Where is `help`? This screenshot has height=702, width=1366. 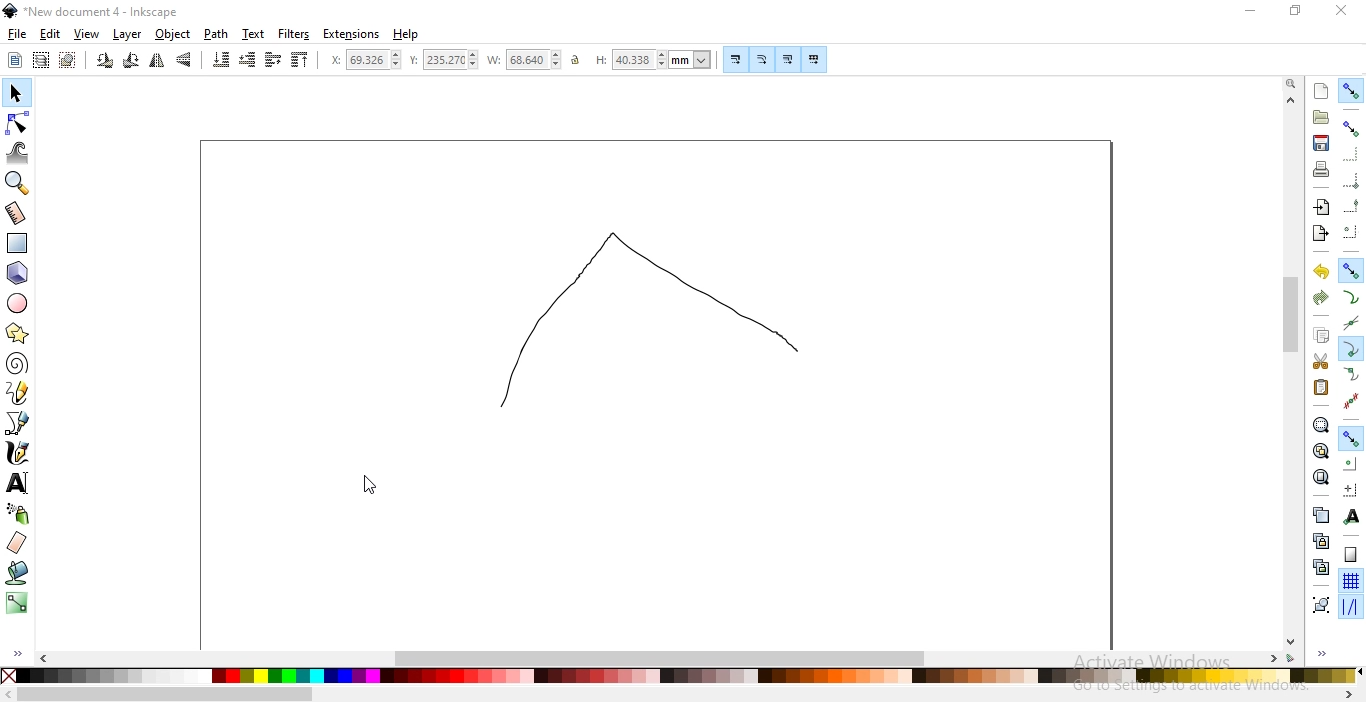 help is located at coordinates (406, 35).